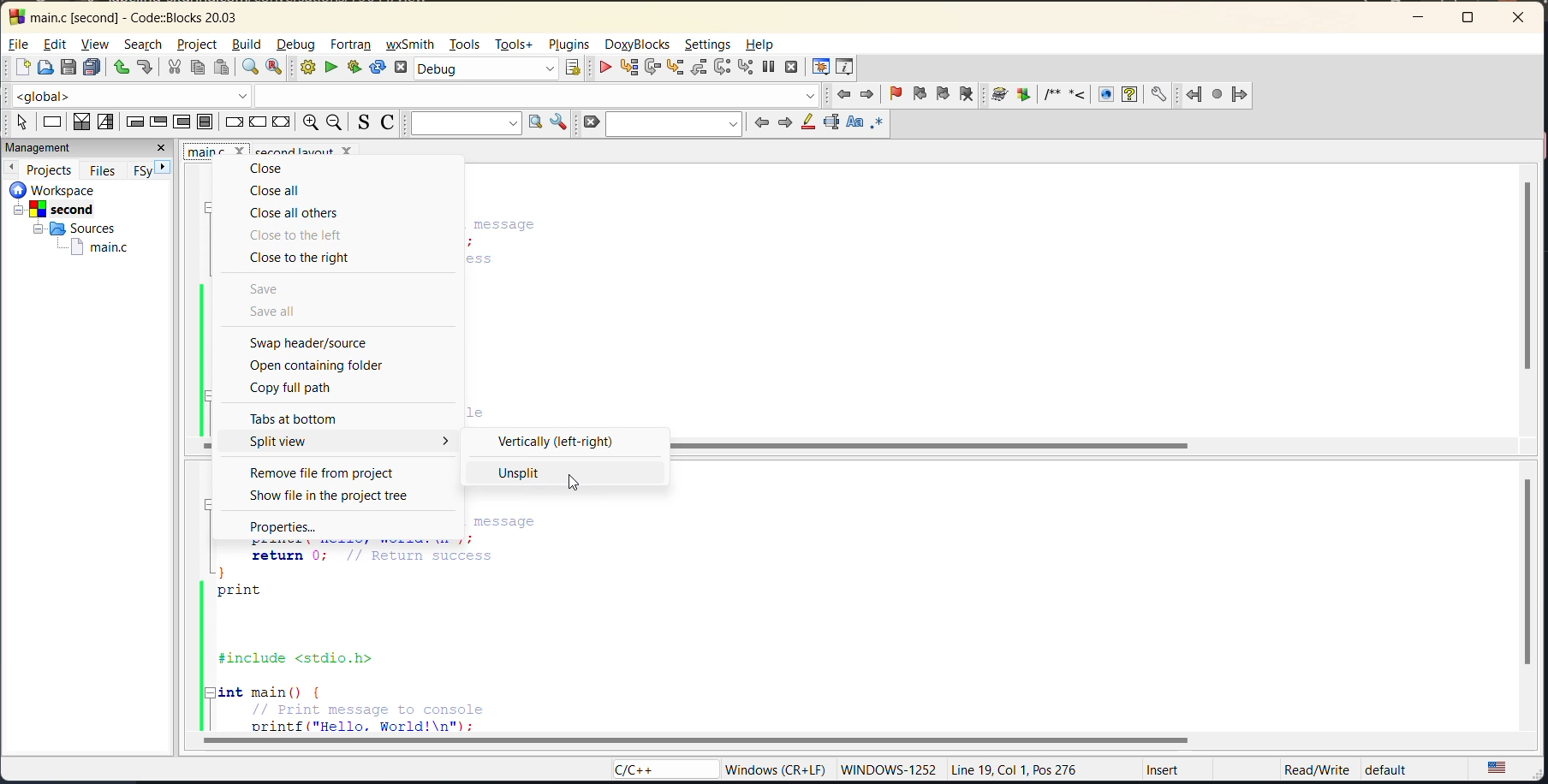 This screenshot has height=784, width=1548. Describe the element at coordinates (354, 45) in the screenshot. I see `fortran` at that location.